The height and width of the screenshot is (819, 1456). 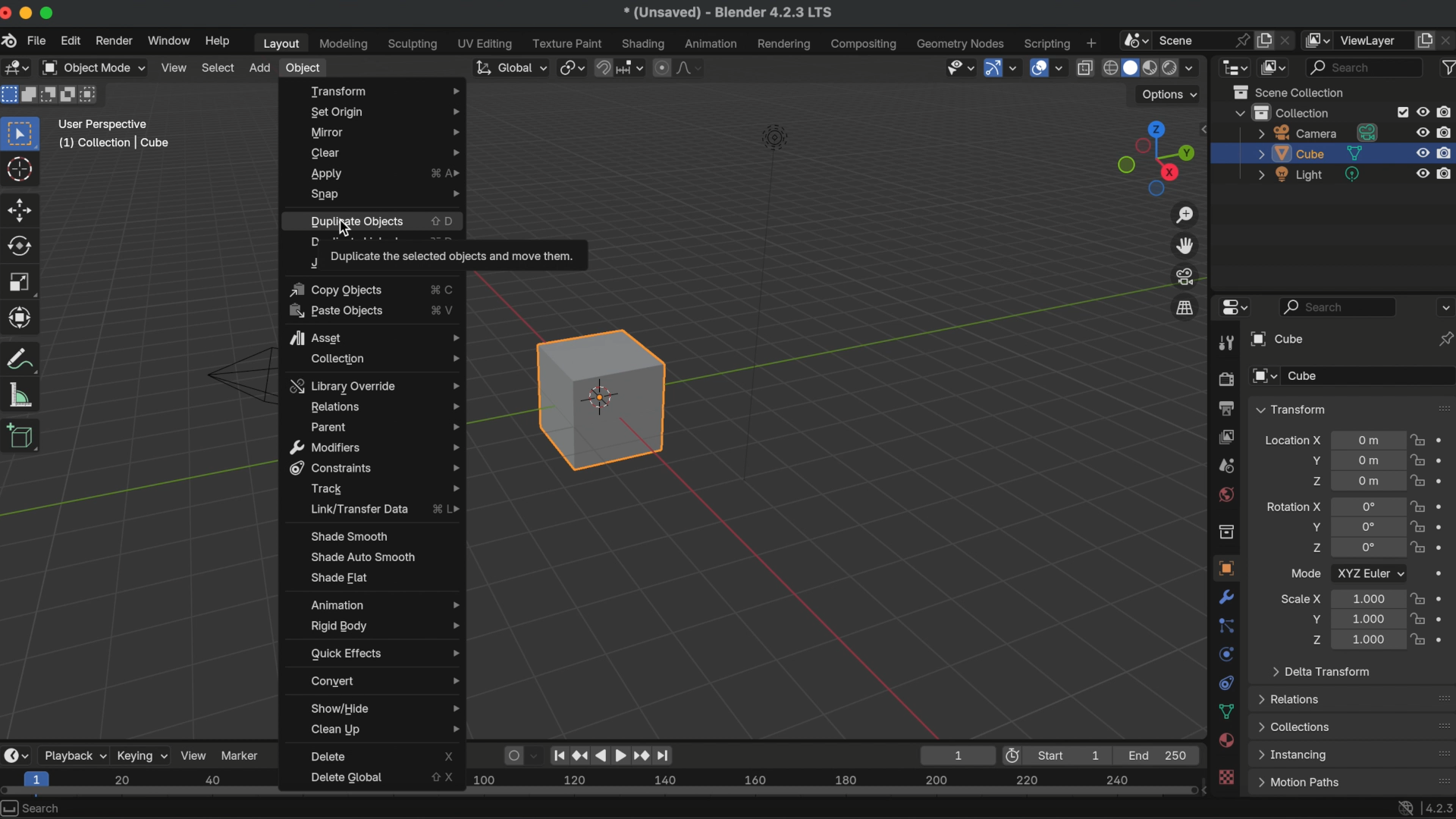 I want to click on collection, so click(x=1225, y=532).